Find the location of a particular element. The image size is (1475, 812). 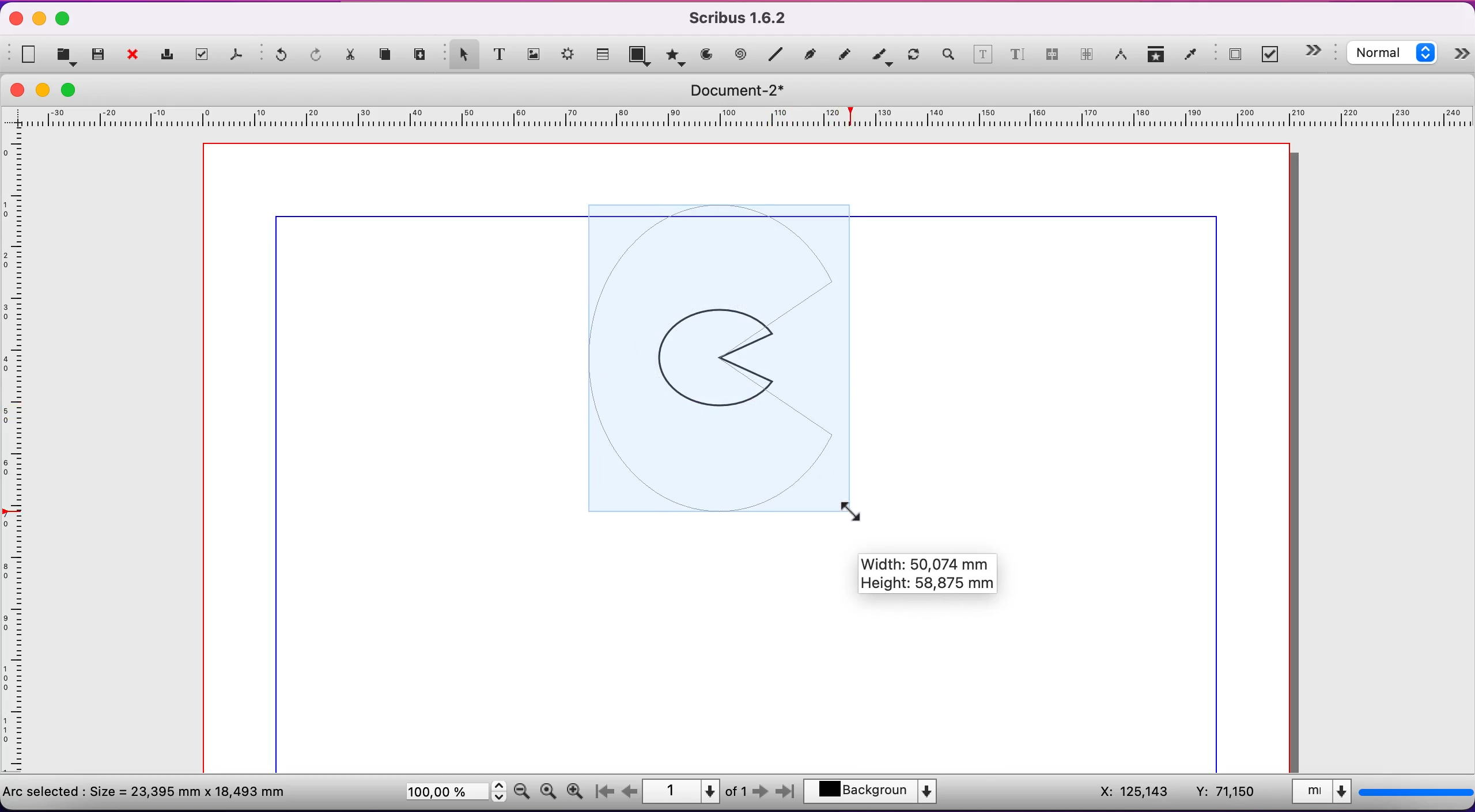

preflight verifier is located at coordinates (205, 55).